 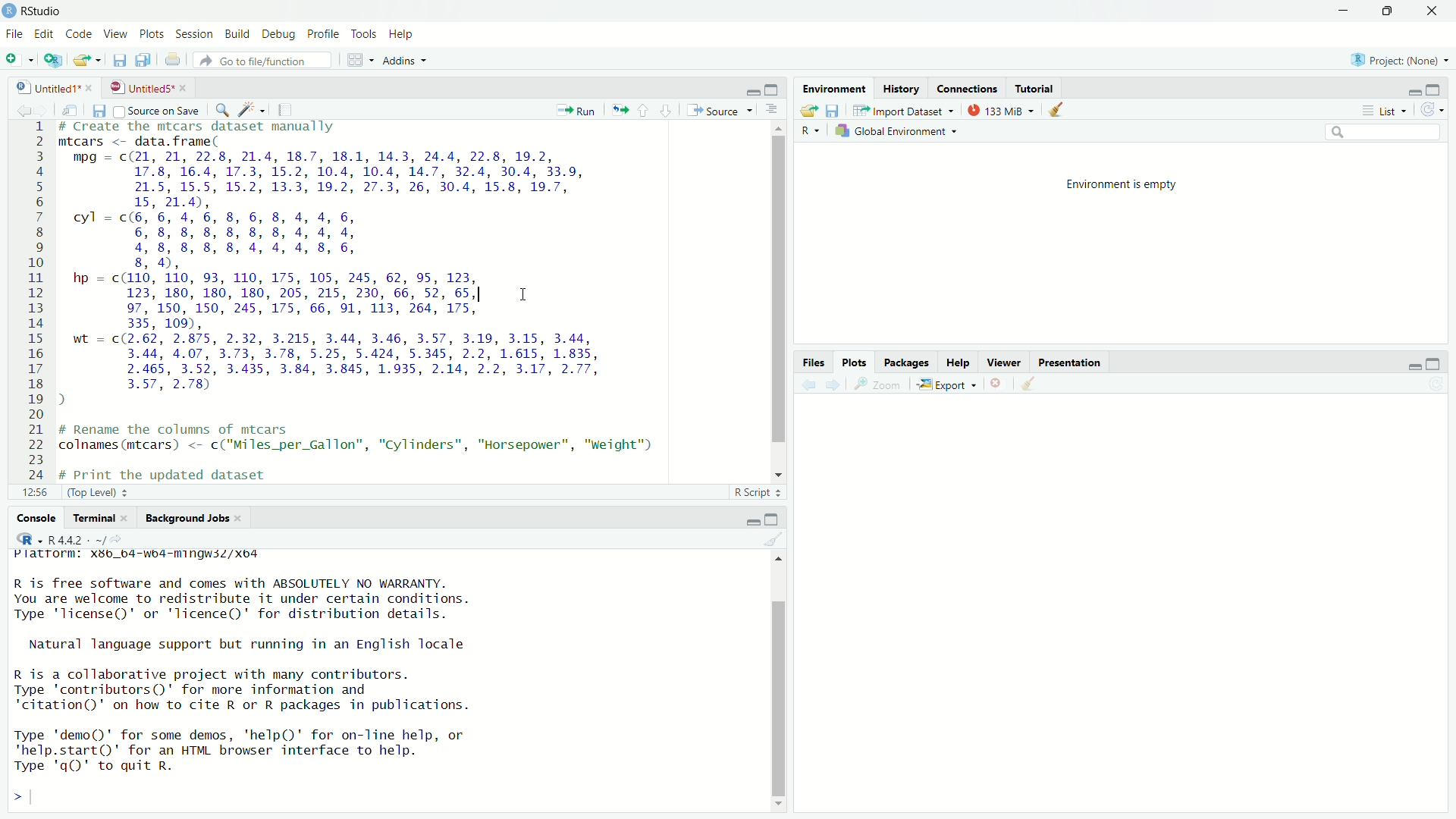 What do you see at coordinates (95, 517) in the screenshot?
I see `Terminal` at bounding box center [95, 517].